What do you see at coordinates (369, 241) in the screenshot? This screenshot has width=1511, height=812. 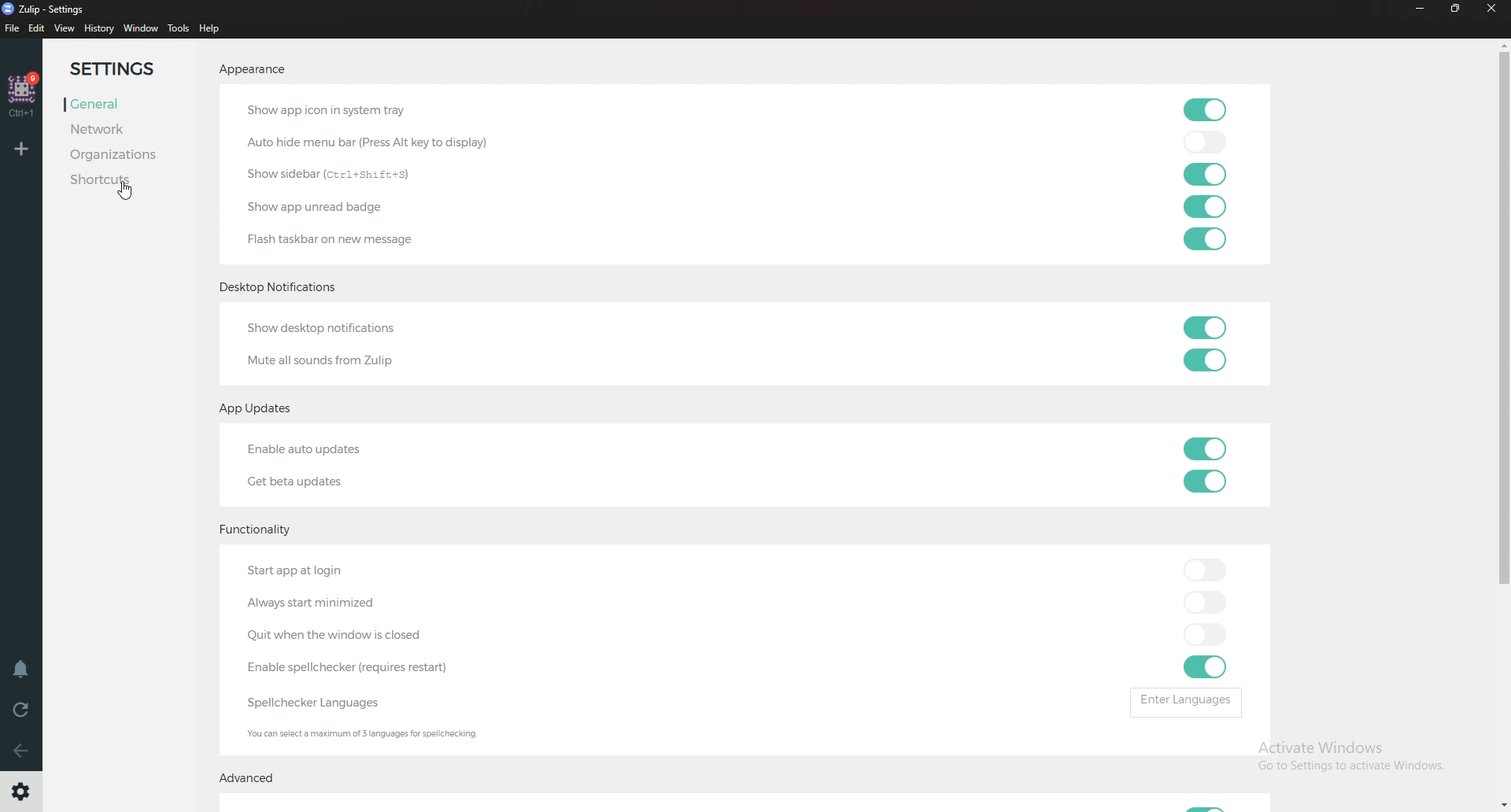 I see `Flash taskbar on new message` at bounding box center [369, 241].